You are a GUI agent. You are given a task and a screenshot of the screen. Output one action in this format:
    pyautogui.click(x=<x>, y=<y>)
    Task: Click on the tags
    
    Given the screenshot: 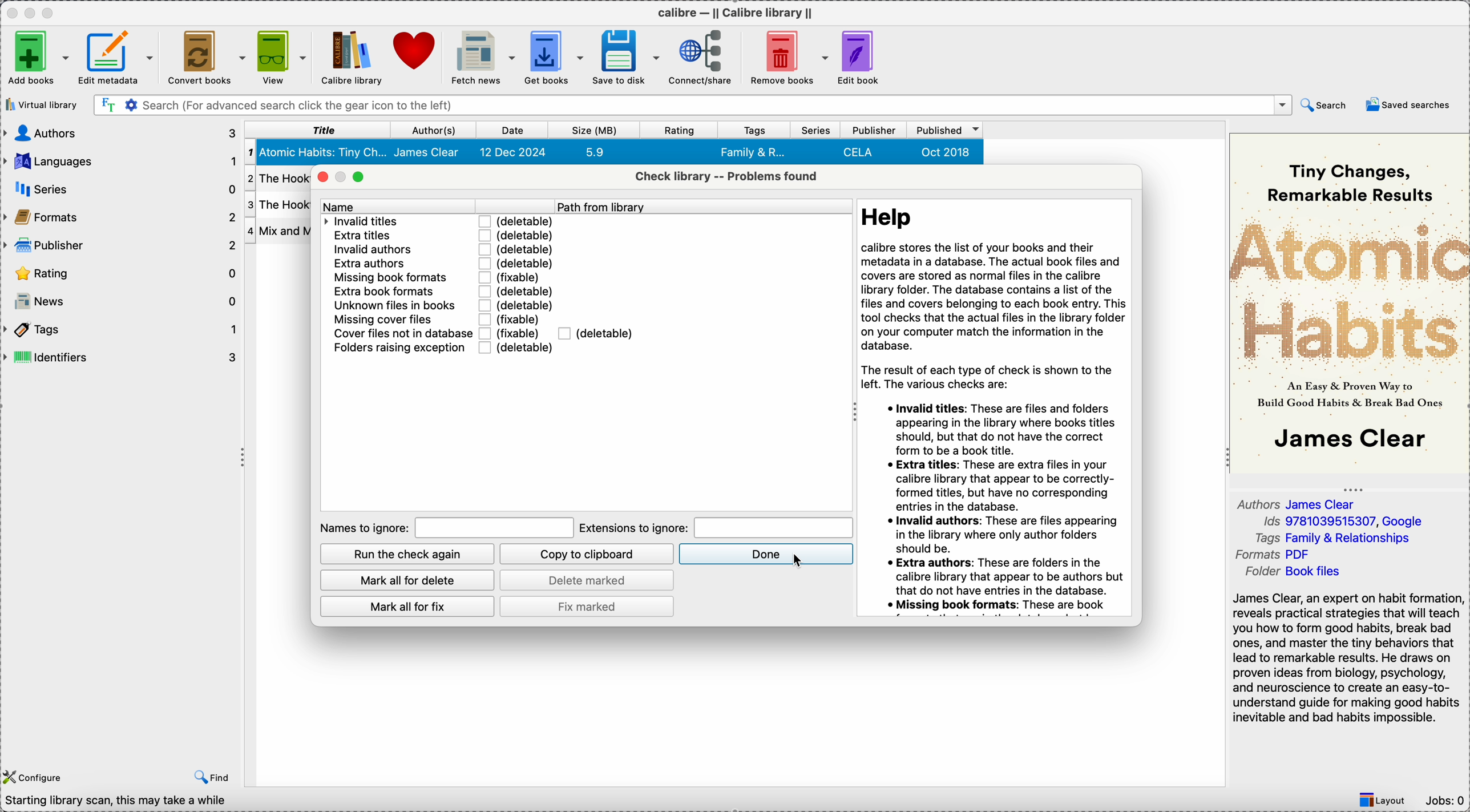 What is the action you would take?
    pyautogui.click(x=754, y=130)
    